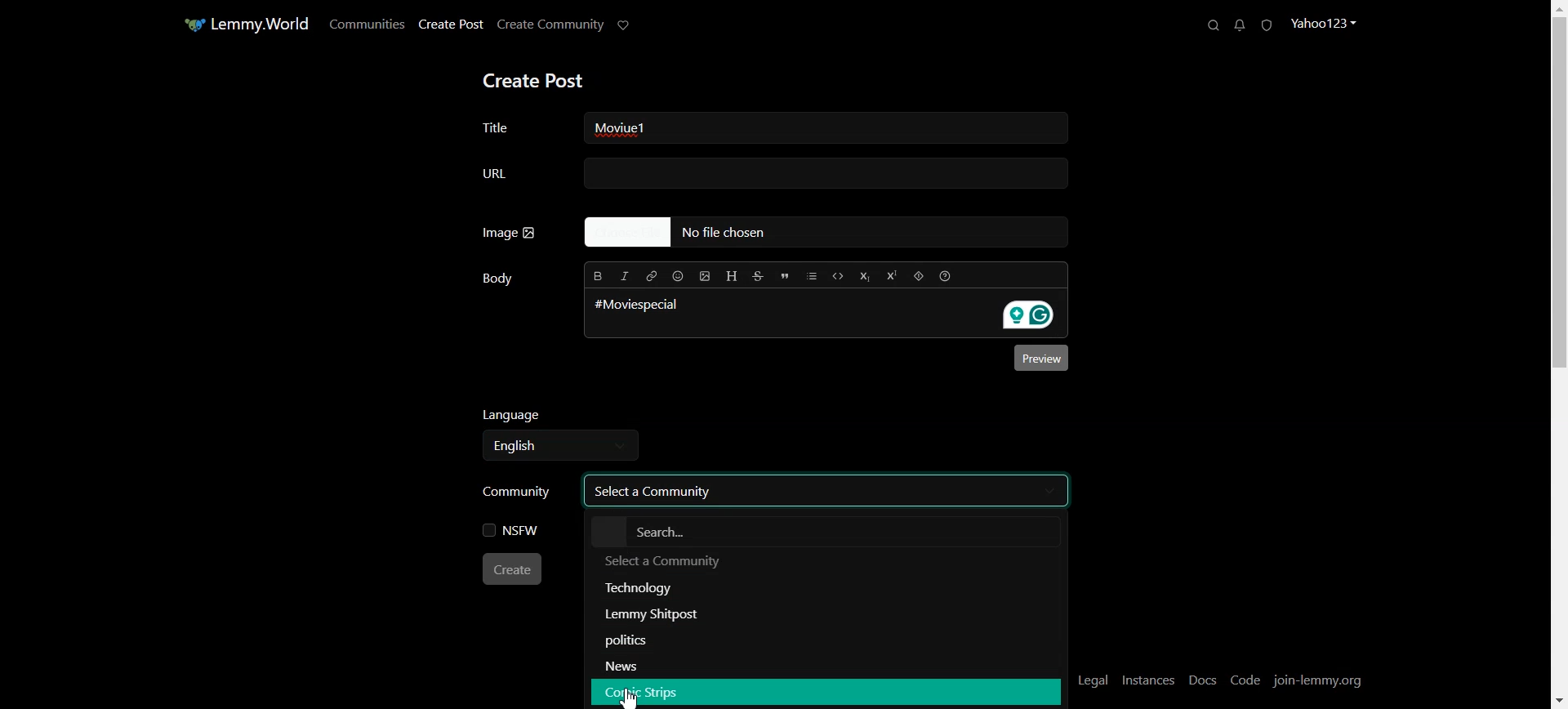 This screenshot has height=709, width=1568. Describe the element at coordinates (568, 447) in the screenshot. I see `Select language` at that location.